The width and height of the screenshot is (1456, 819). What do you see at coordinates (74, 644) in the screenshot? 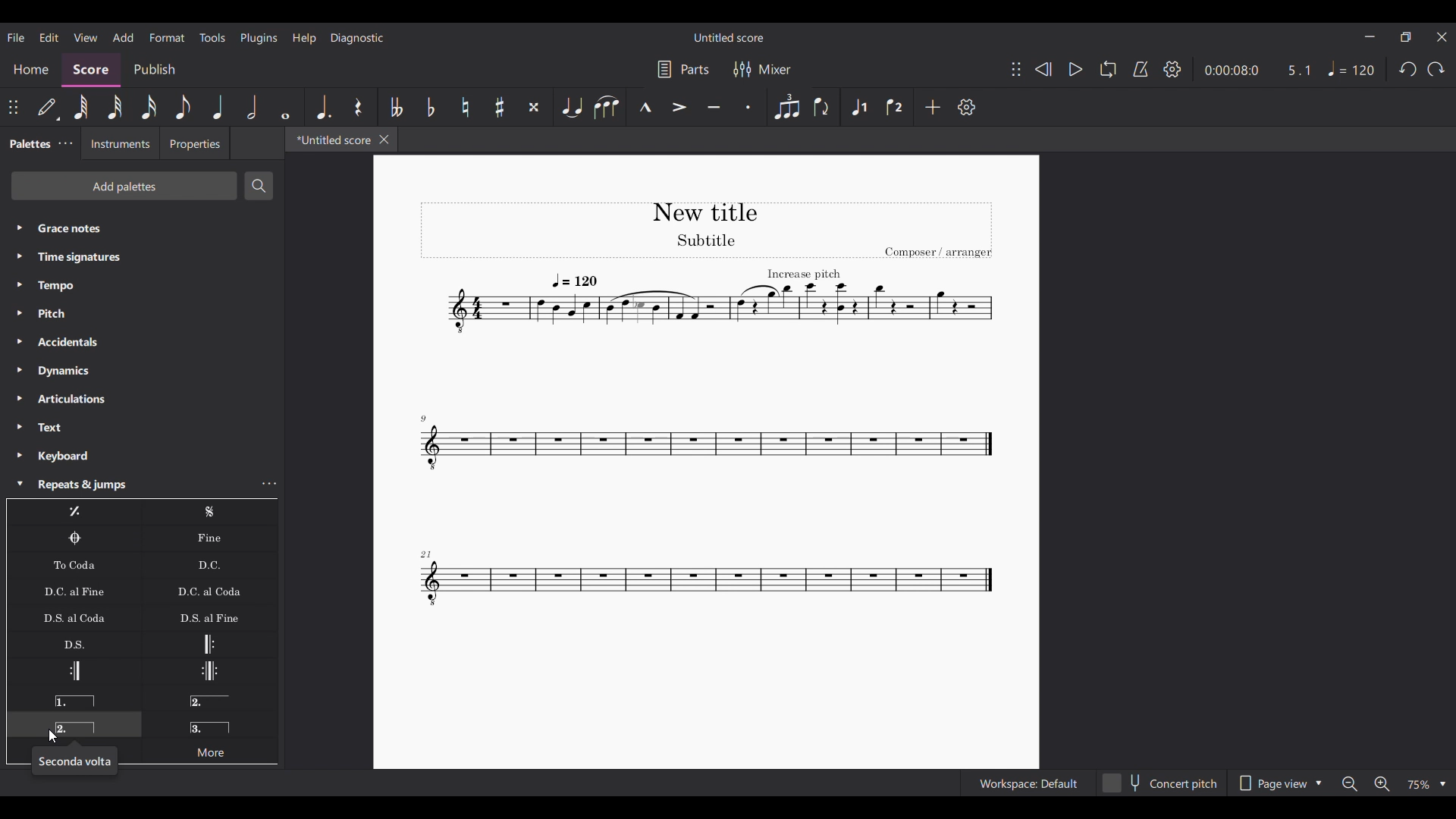
I see `D.S.` at bounding box center [74, 644].